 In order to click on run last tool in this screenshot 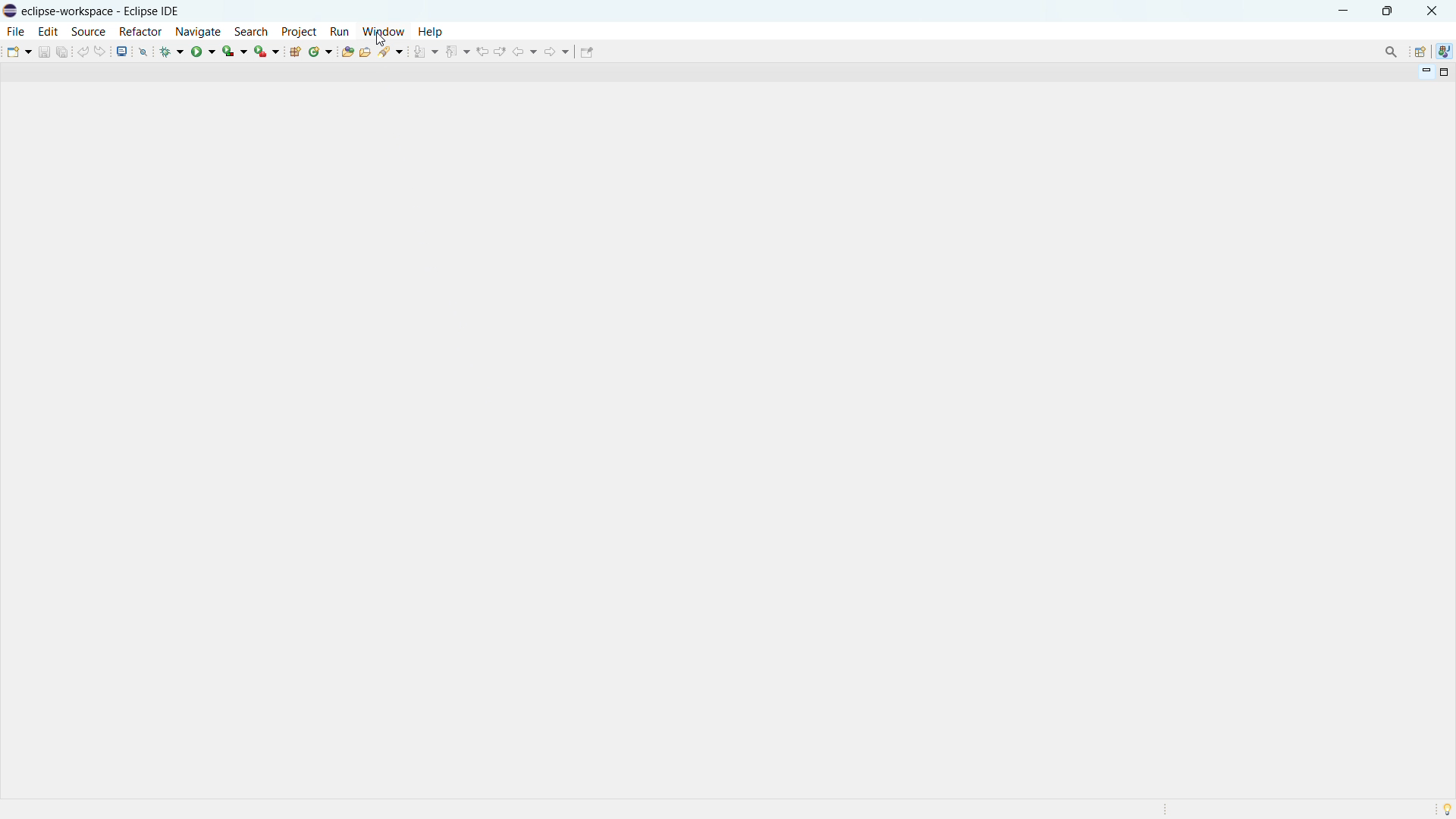, I will do `click(268, 51)`.